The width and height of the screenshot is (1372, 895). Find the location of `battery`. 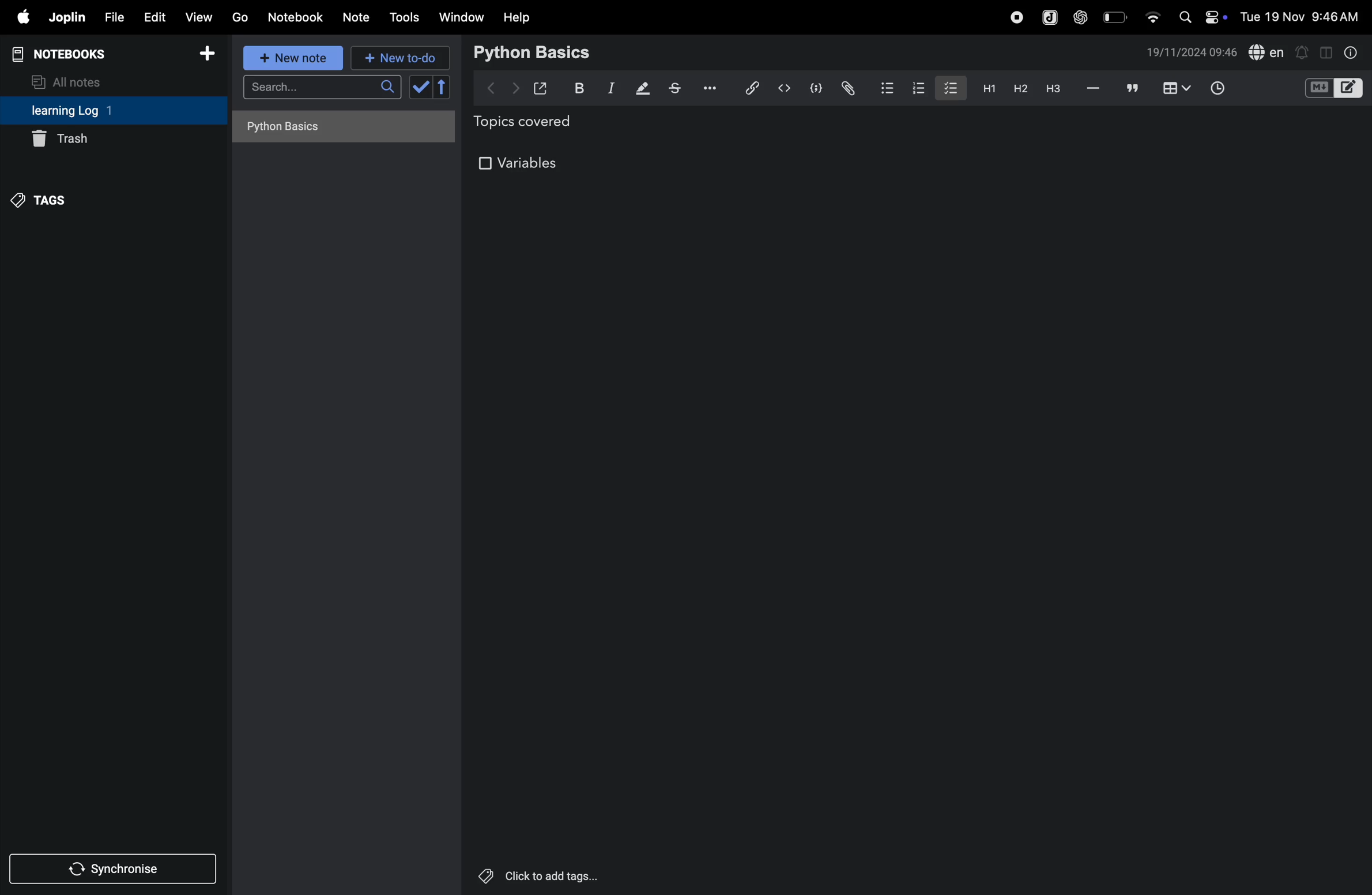

battery is located at coordinates (1116, 16).